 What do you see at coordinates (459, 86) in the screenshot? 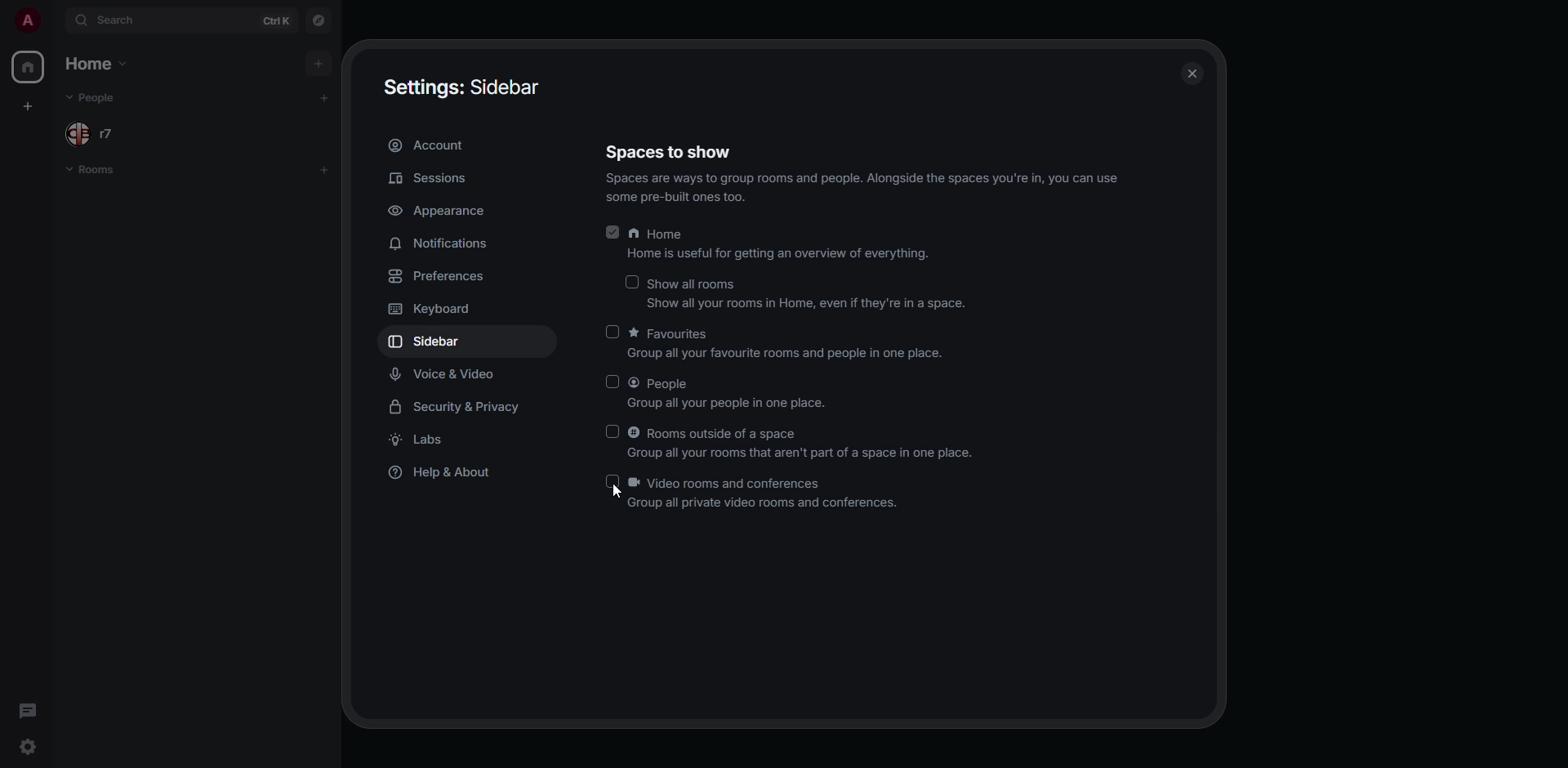
I see `settings sidebar` at bounding box center [459, 86].